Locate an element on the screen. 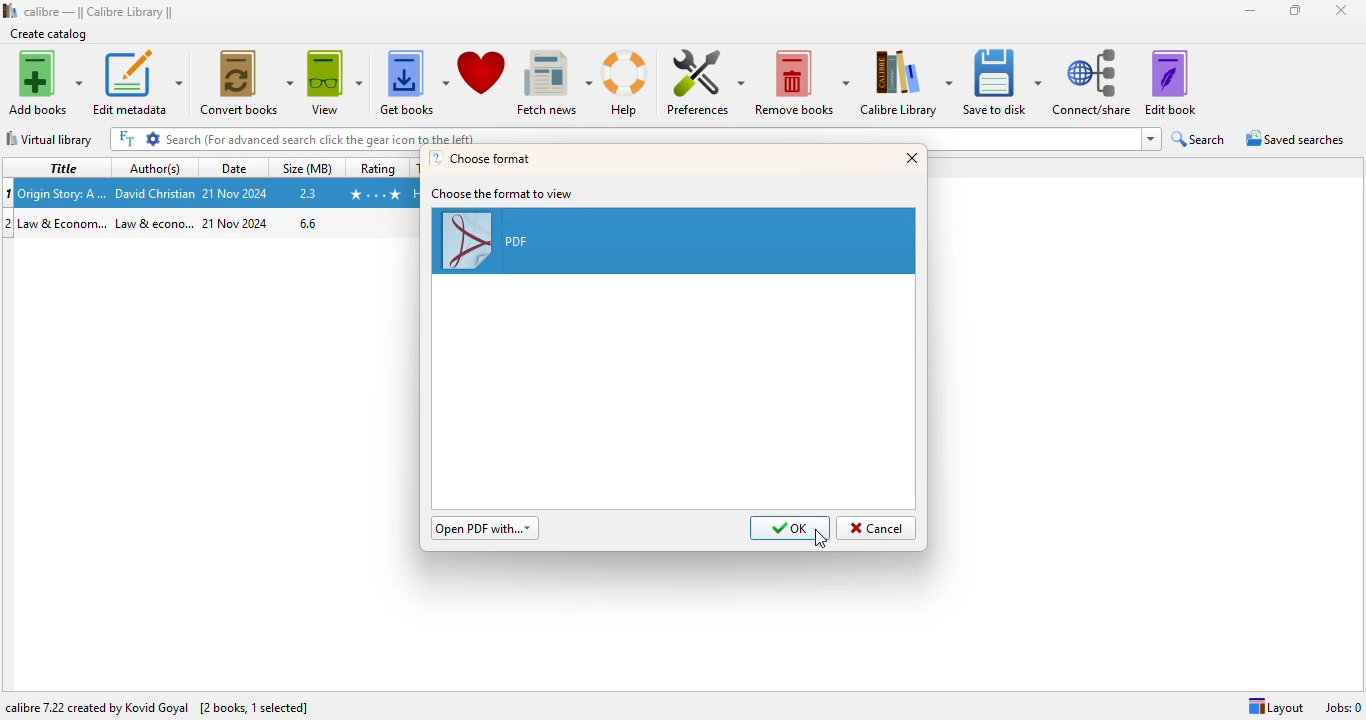  convert books is located at coordinates (246, 83).